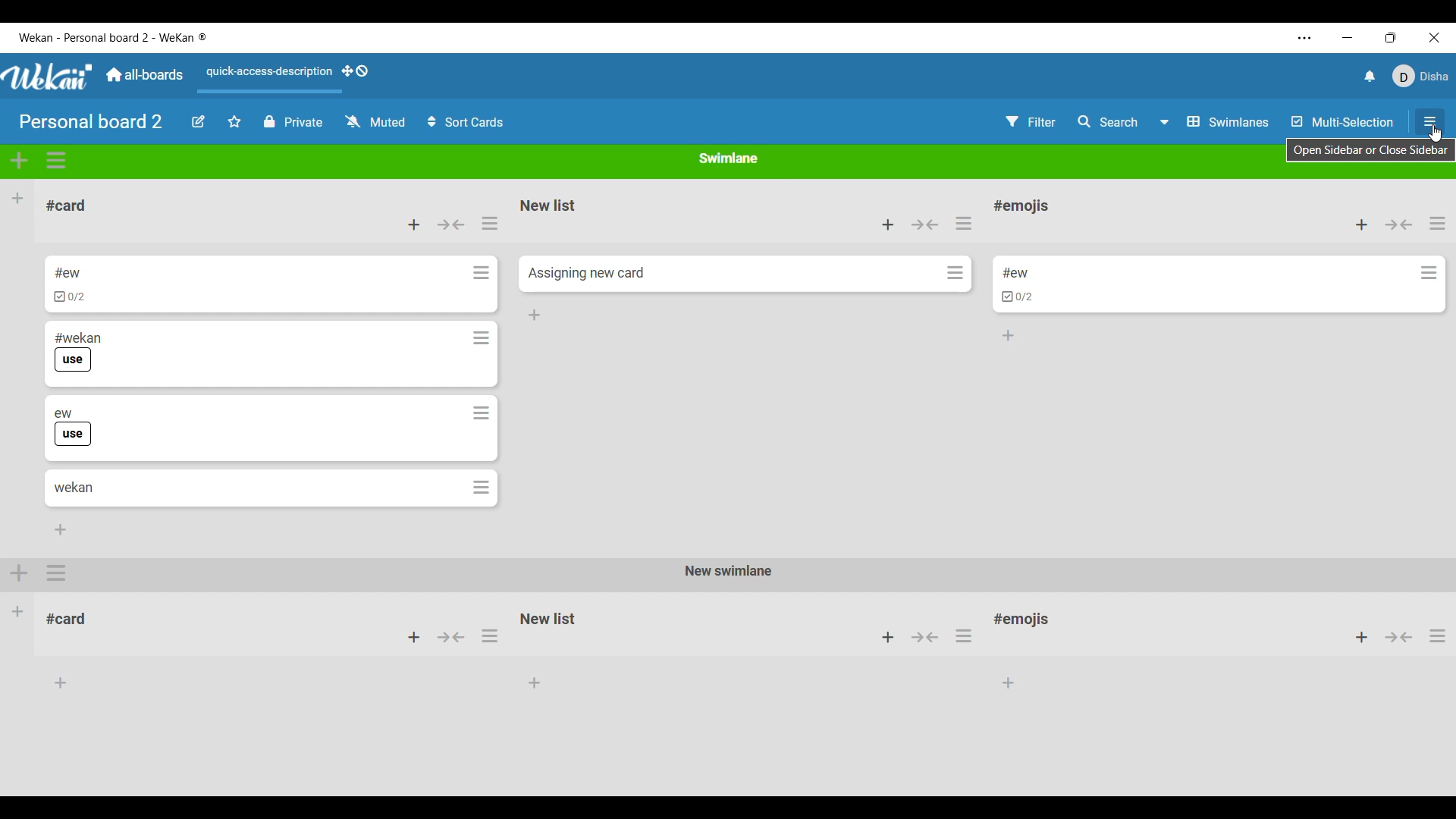 The image size is (1456, 819). What do you see at coordinates (1362, 224) in the screenshot?
I see `Add card to top of list` at bounding box center [1362, 224].